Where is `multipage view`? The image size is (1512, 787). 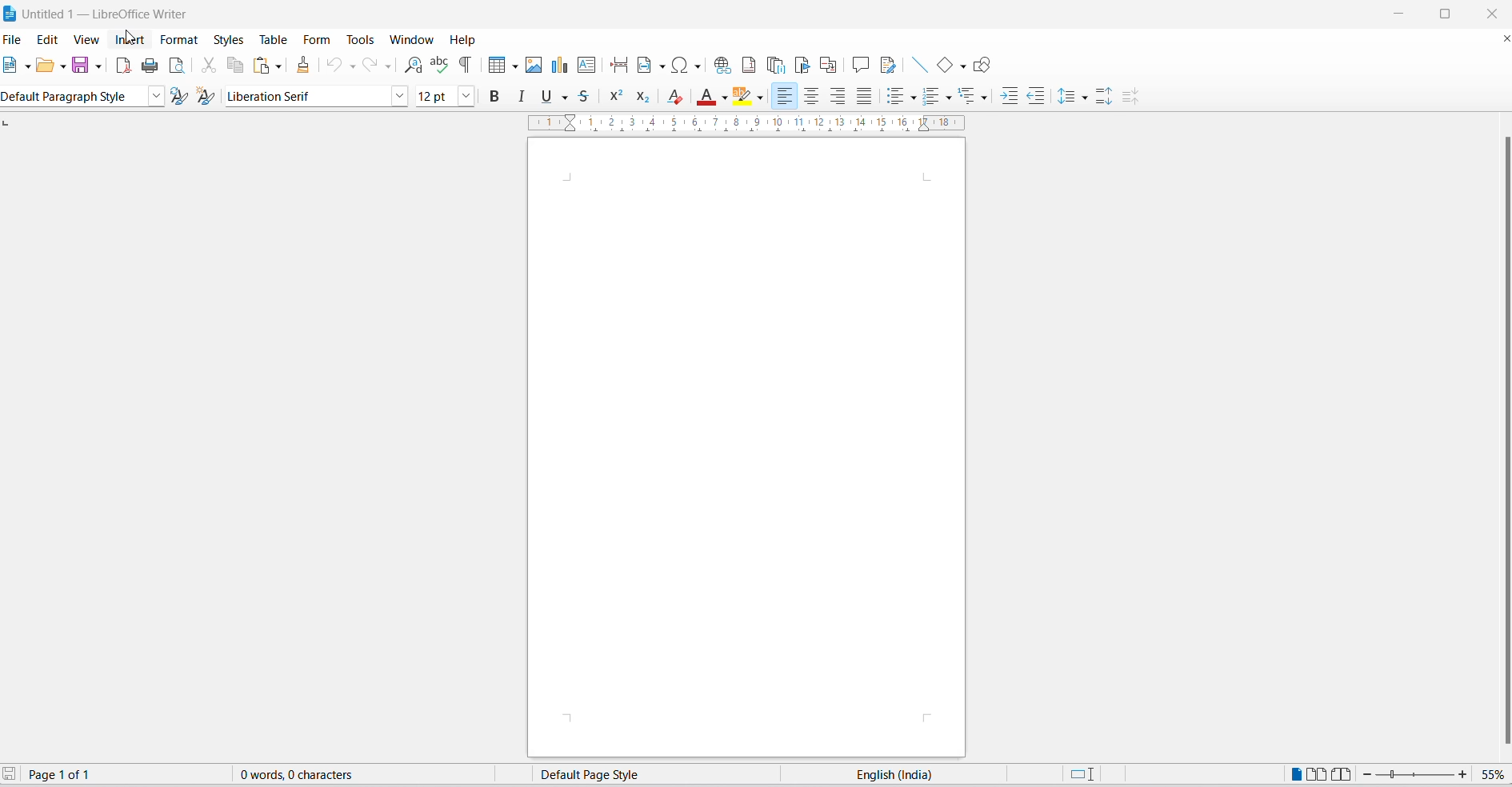 multipage view is located at coordinates (1318, 775).